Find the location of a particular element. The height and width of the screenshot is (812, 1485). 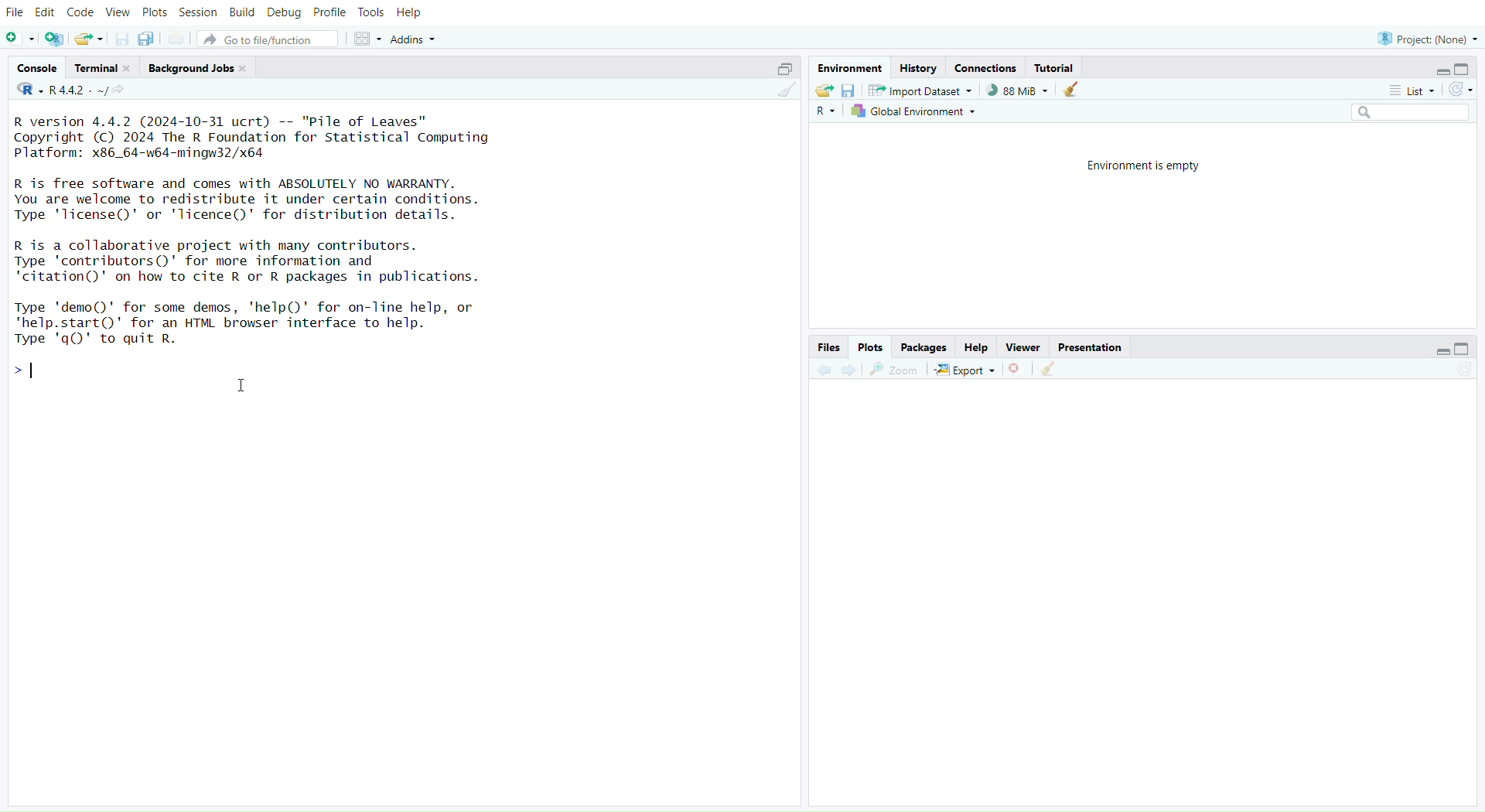

files is located at coordinates (828, 346).